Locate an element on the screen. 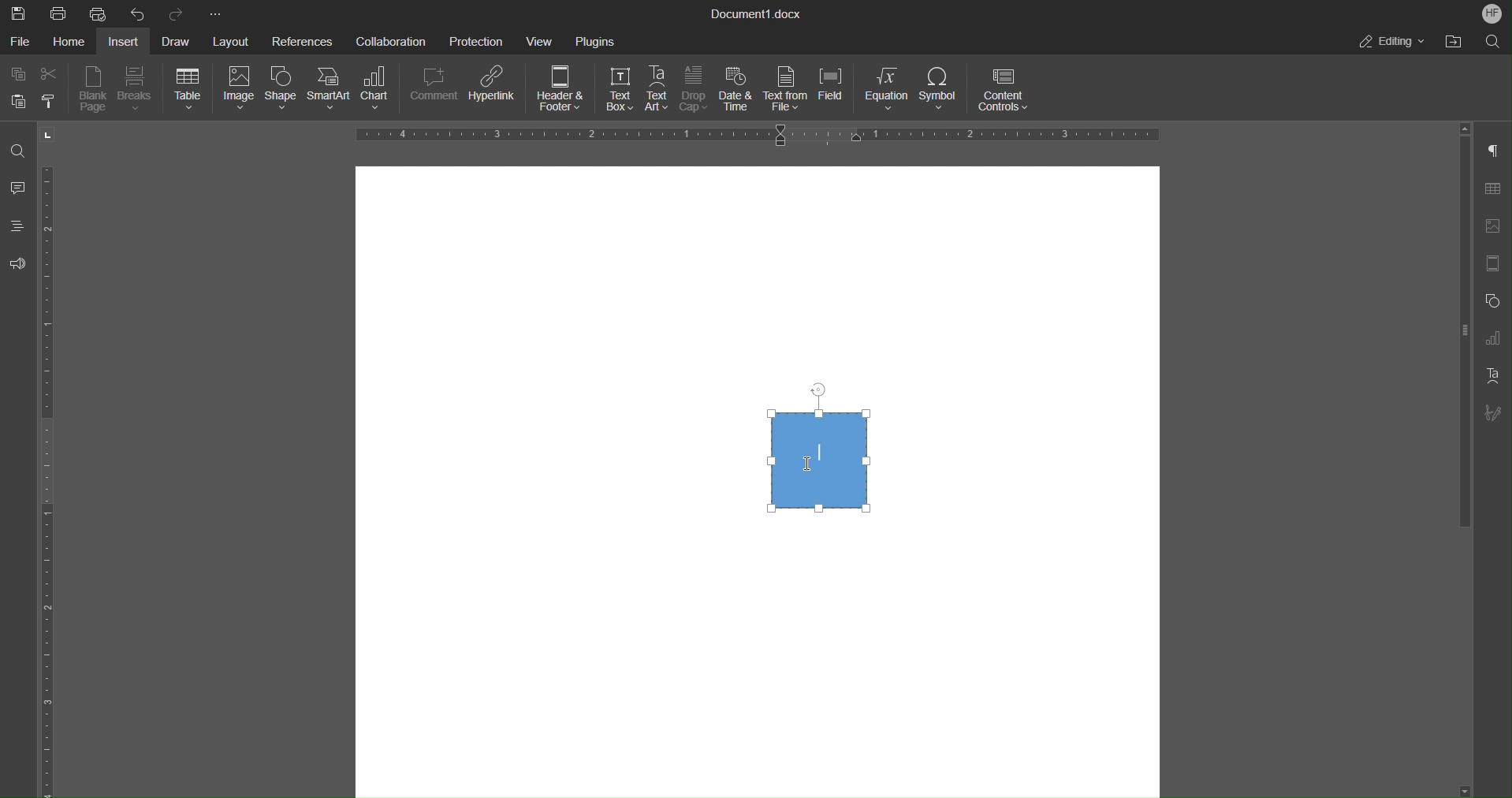 Image resolution: width=1512 pixels, height=798 pixels. Scroll down is located at coordinates (1468, 785).